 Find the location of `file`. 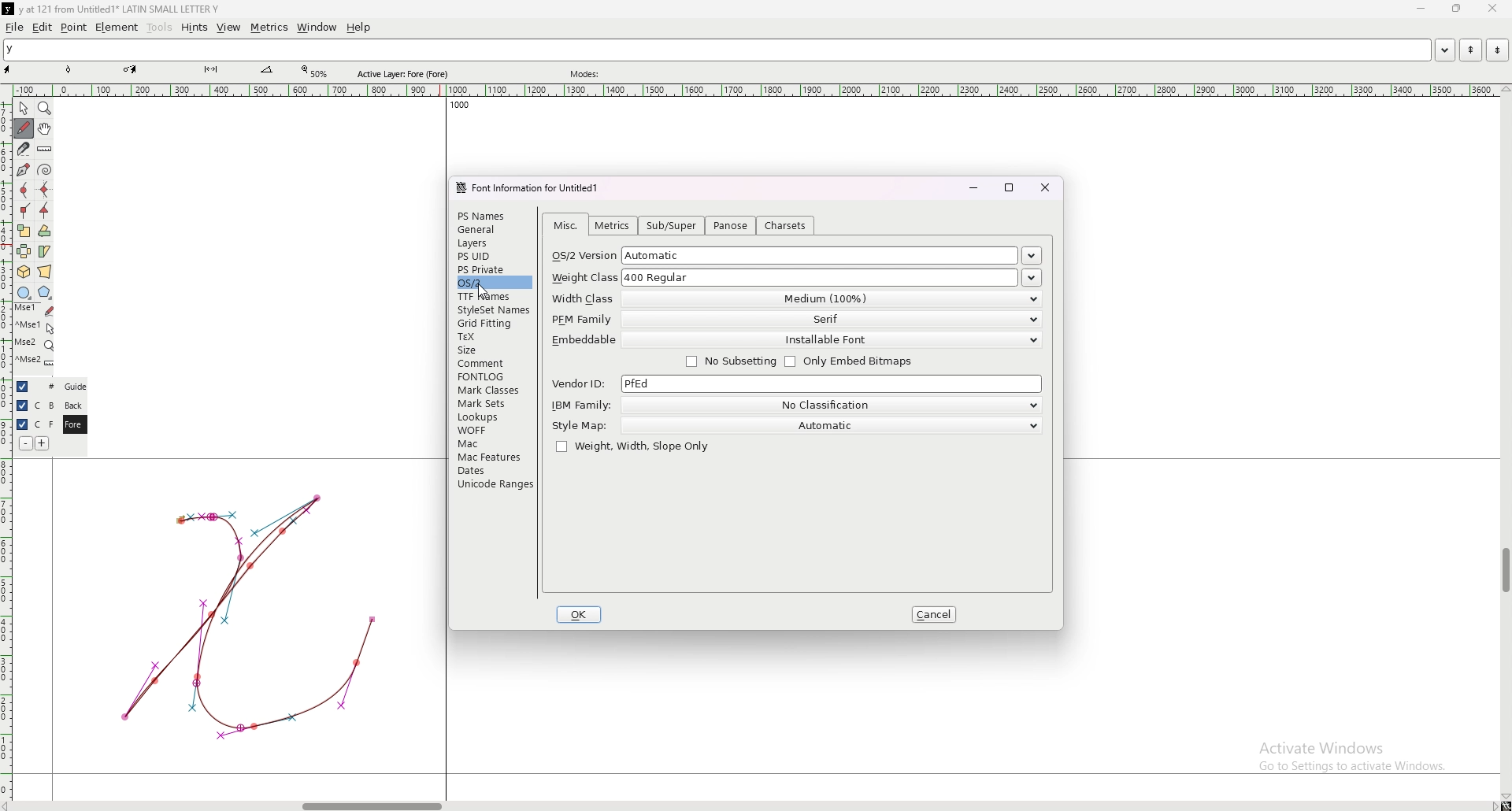

file is located at coordinates (15, 27).